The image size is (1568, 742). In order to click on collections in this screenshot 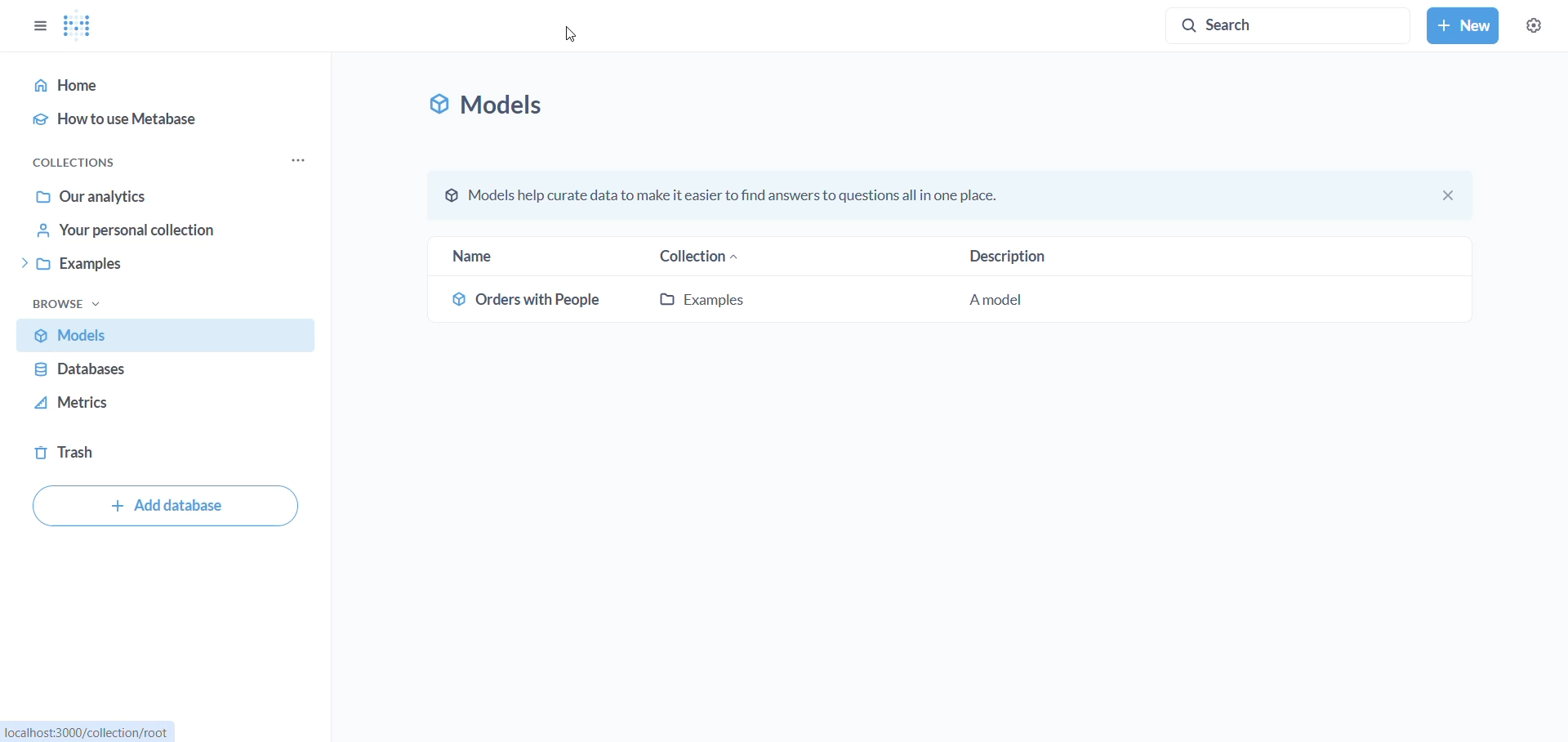, I will do `click(77, 163)`.